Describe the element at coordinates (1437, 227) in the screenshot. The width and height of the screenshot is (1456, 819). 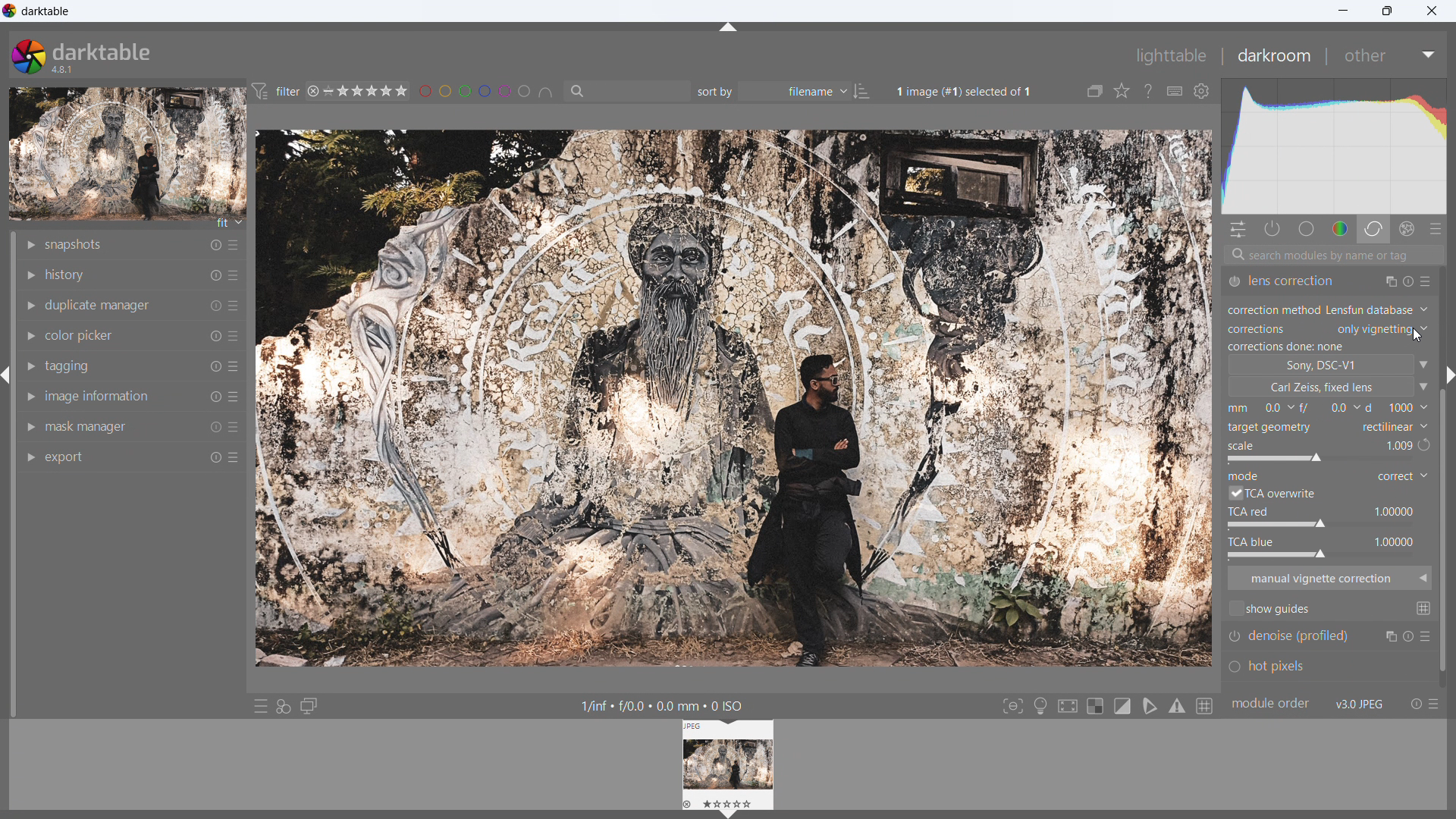
I see `presets` at that location.